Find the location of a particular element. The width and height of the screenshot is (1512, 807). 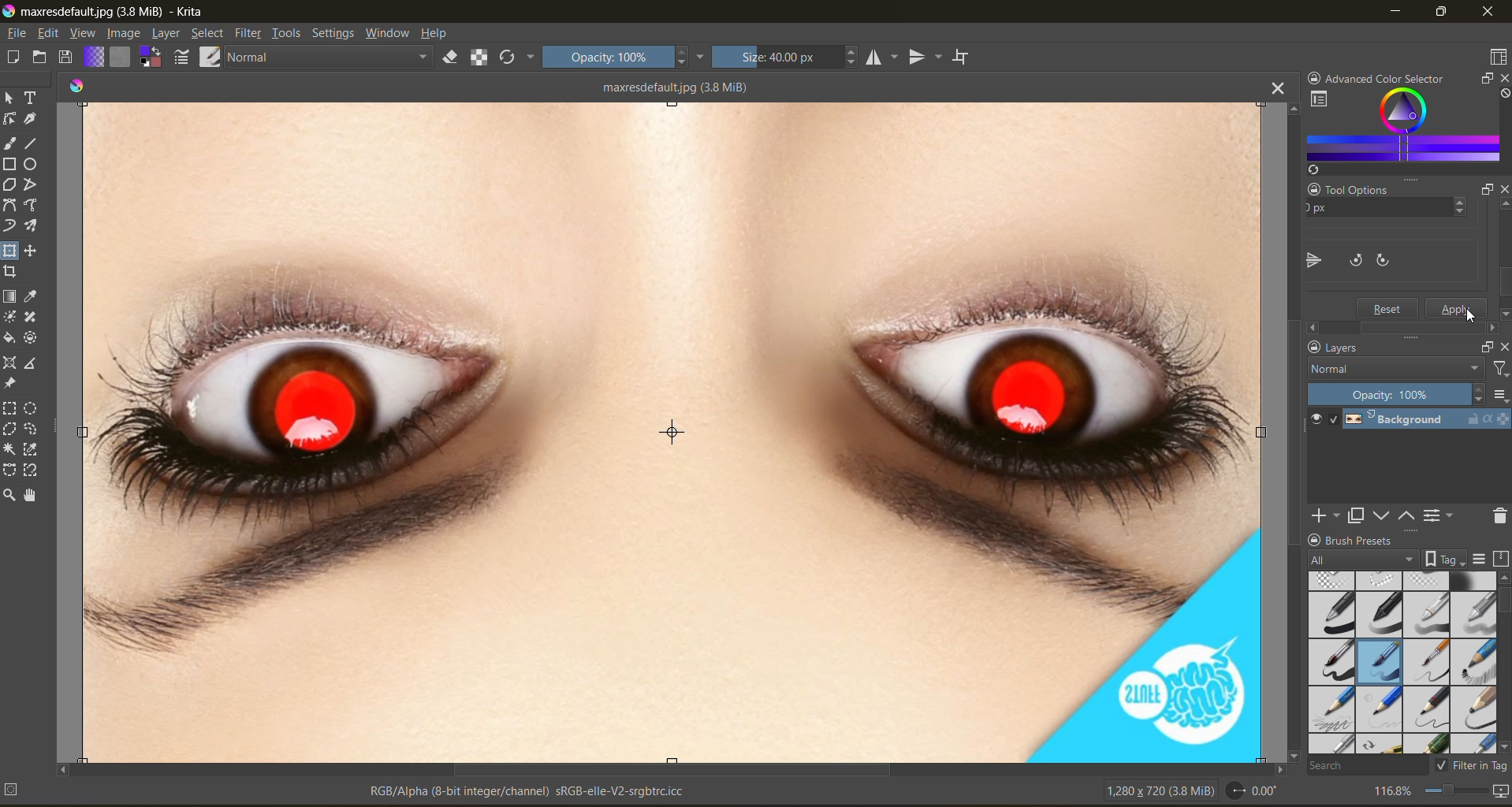

filter in tag is located at coordinates (1473, 765).